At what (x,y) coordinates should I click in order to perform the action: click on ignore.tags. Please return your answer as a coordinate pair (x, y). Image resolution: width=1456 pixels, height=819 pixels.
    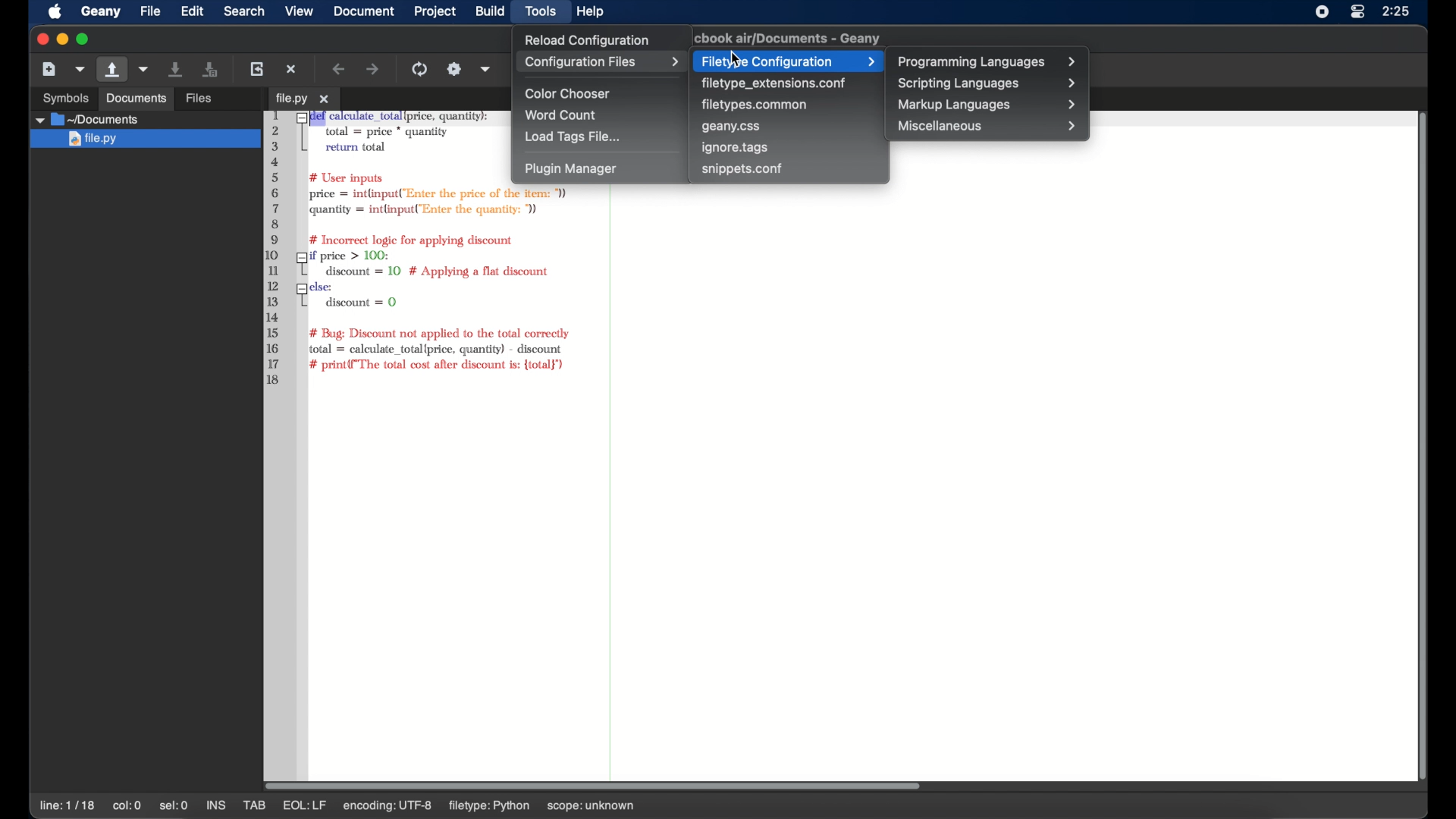
    Looking at the image, I should click on (736, 148).